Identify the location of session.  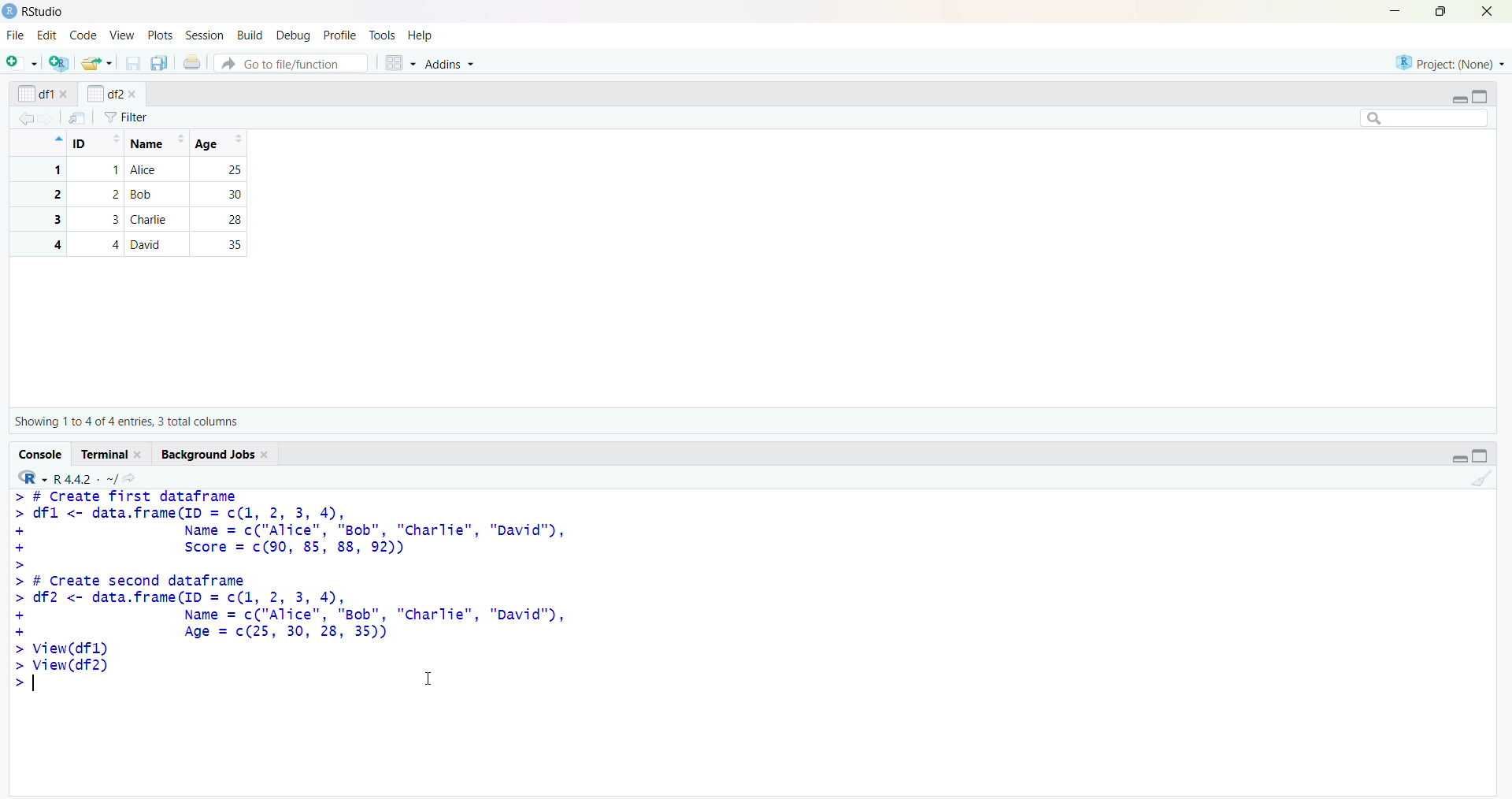
(208, 35).